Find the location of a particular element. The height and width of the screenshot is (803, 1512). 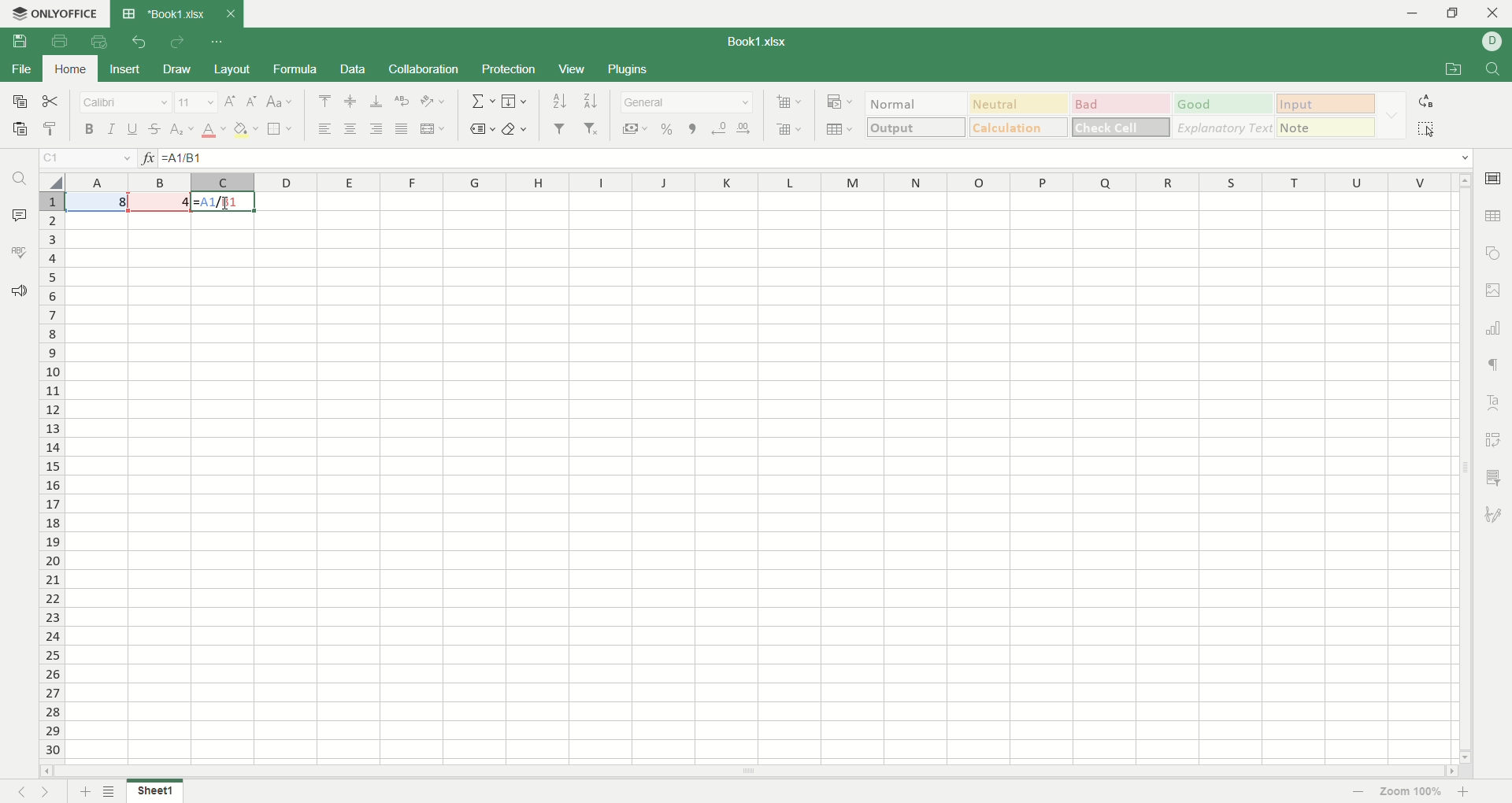

formula is located at coordinates (296, 69).